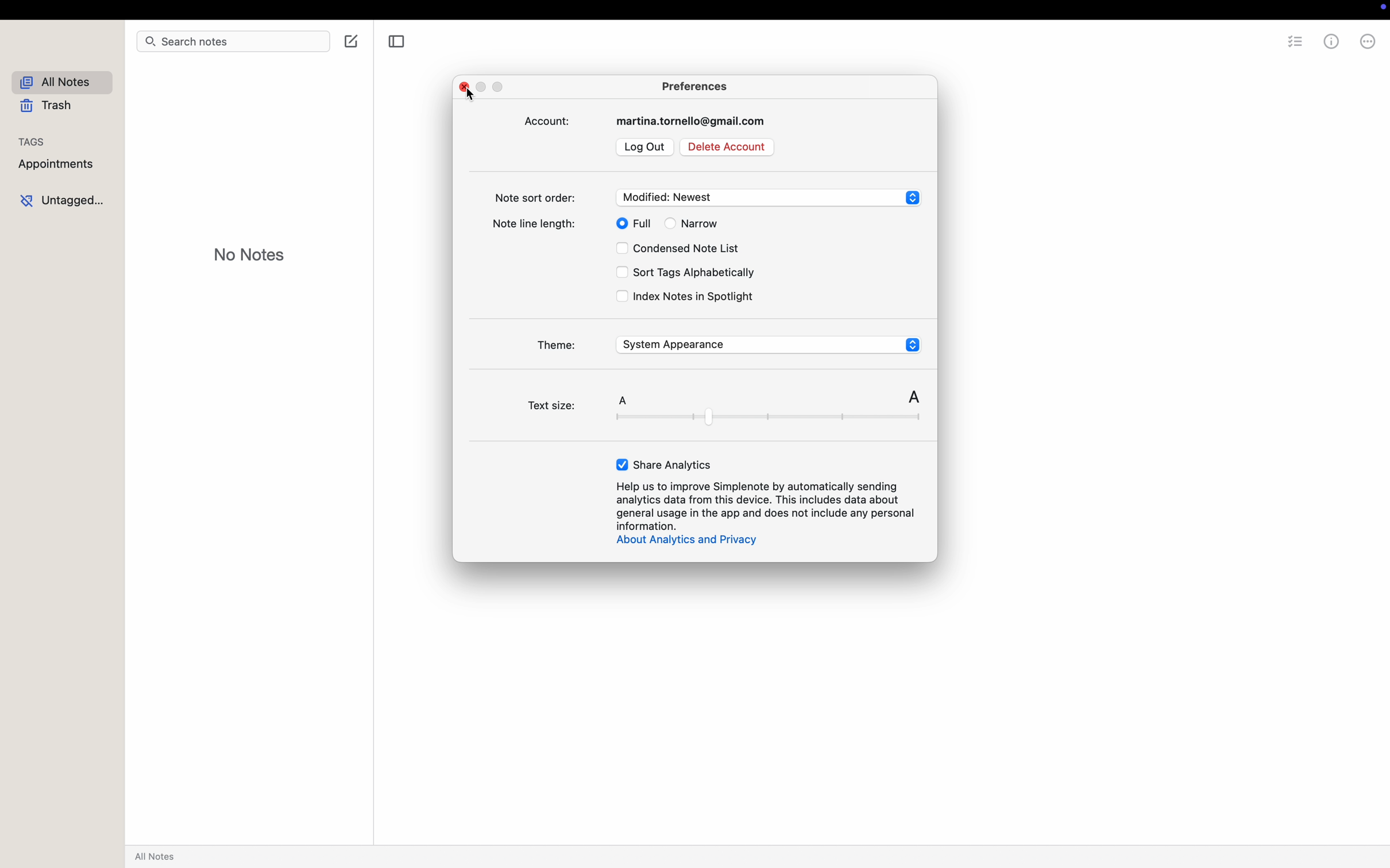  I want to click on metrics, so click(1331, 44).